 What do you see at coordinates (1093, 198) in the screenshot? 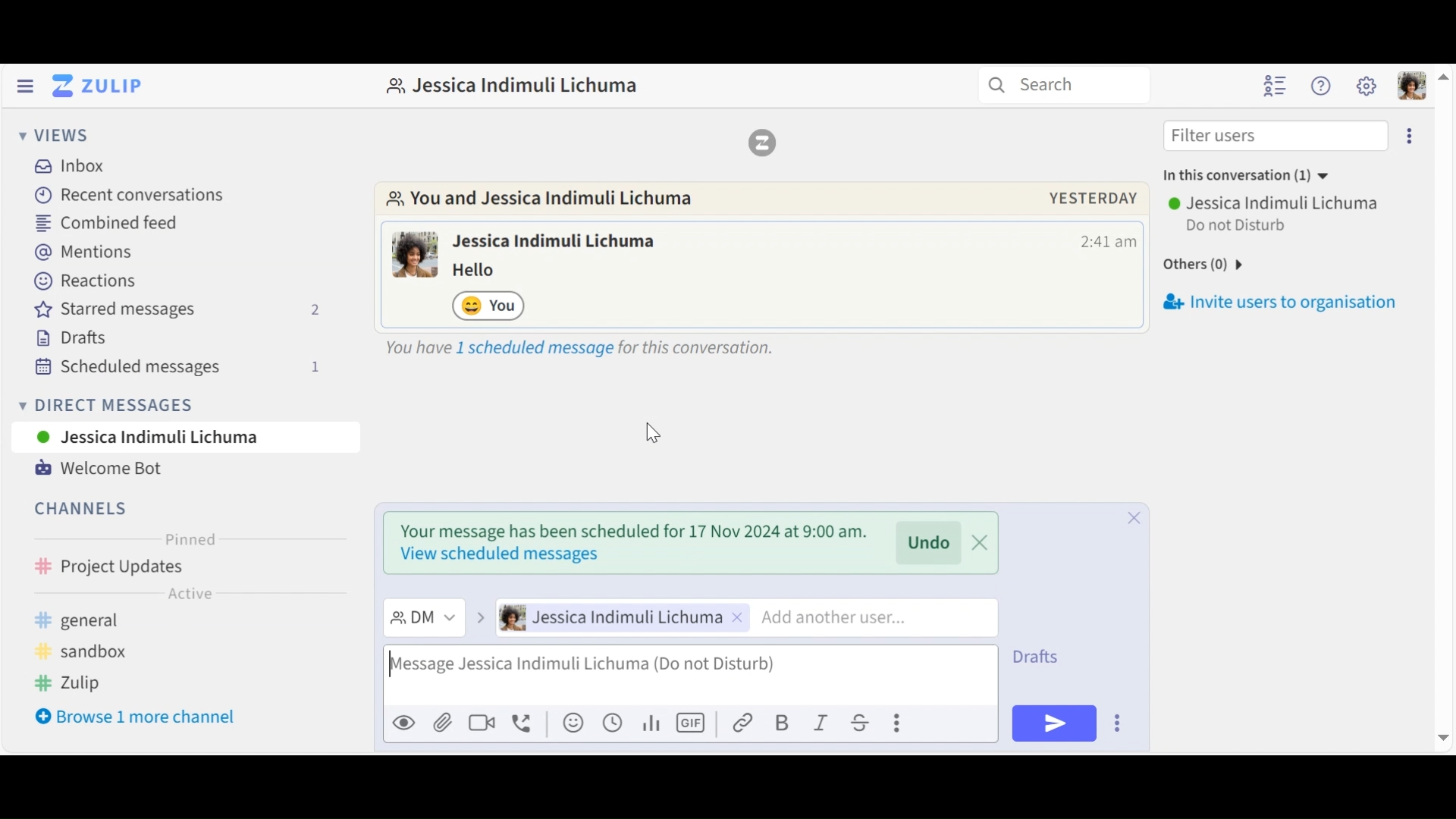
I see `yesterday` at bounding box center [1093, 198].